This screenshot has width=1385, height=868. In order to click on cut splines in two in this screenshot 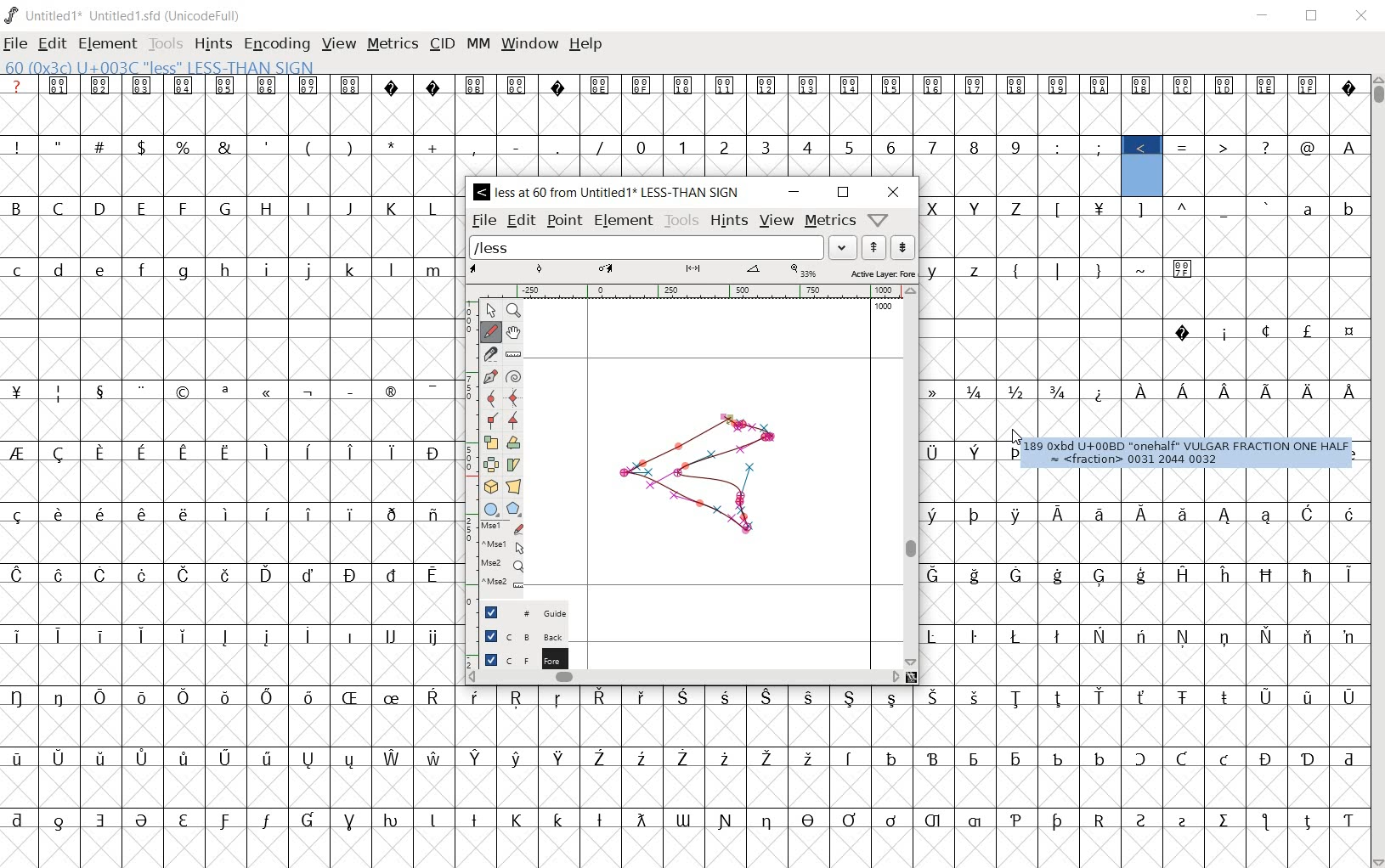, I will do `click(490, 353)`.